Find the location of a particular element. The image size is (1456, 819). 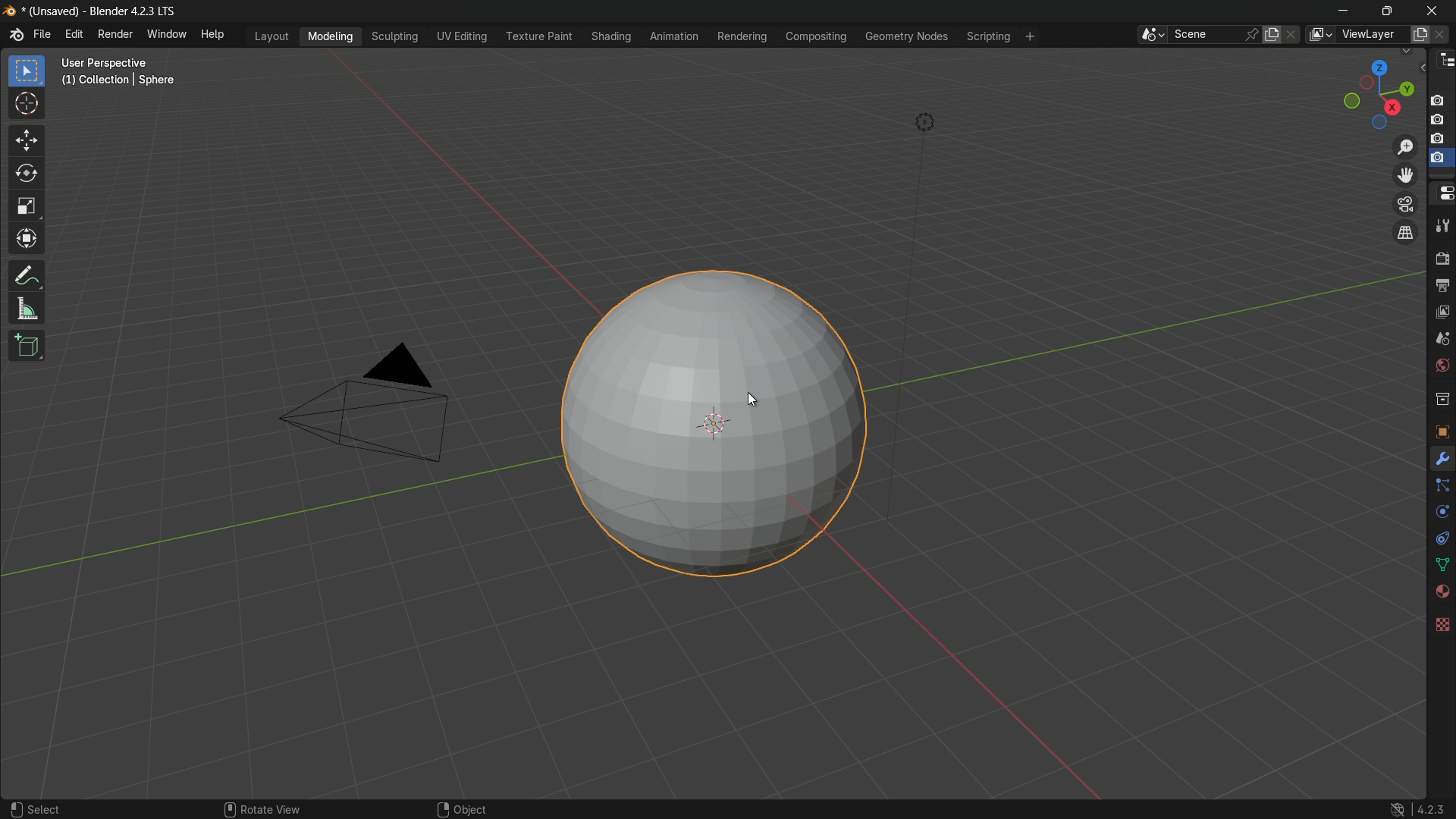

scene name is located at coordinates (1207, 35).